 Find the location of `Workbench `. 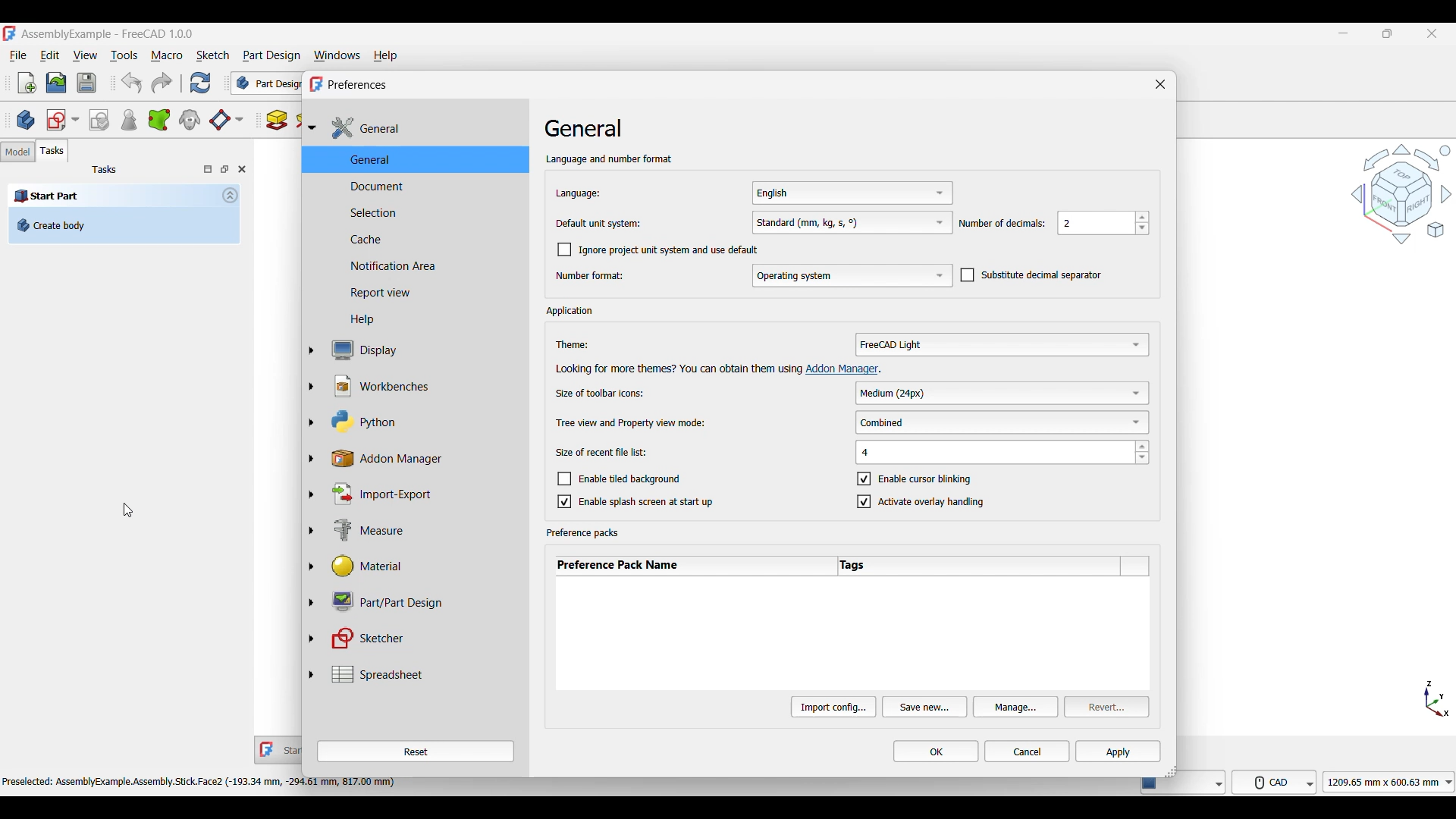

Workbench  is located at coordinates (422, 387).